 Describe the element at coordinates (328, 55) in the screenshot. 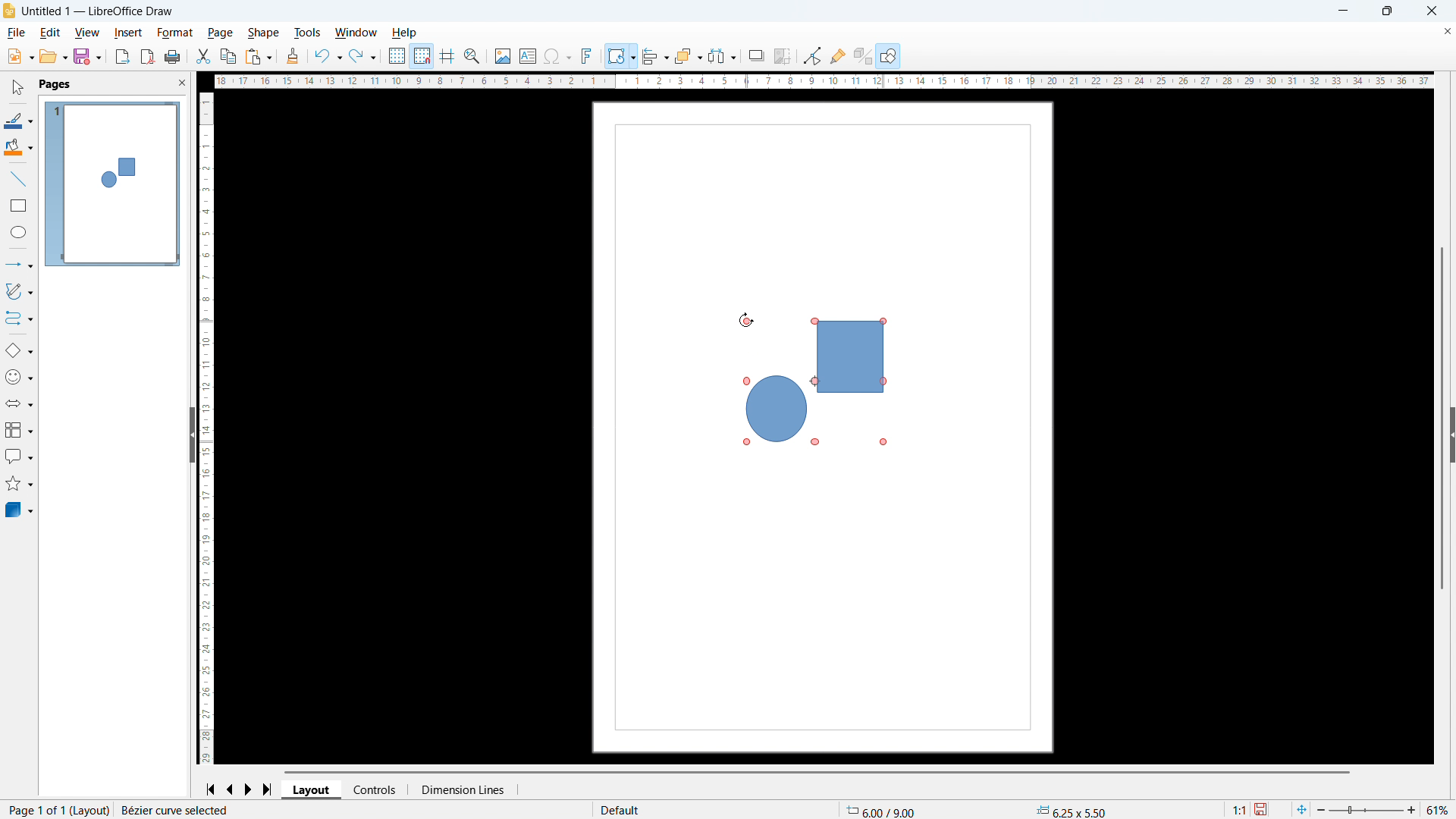

I see `Undo ` at that location.